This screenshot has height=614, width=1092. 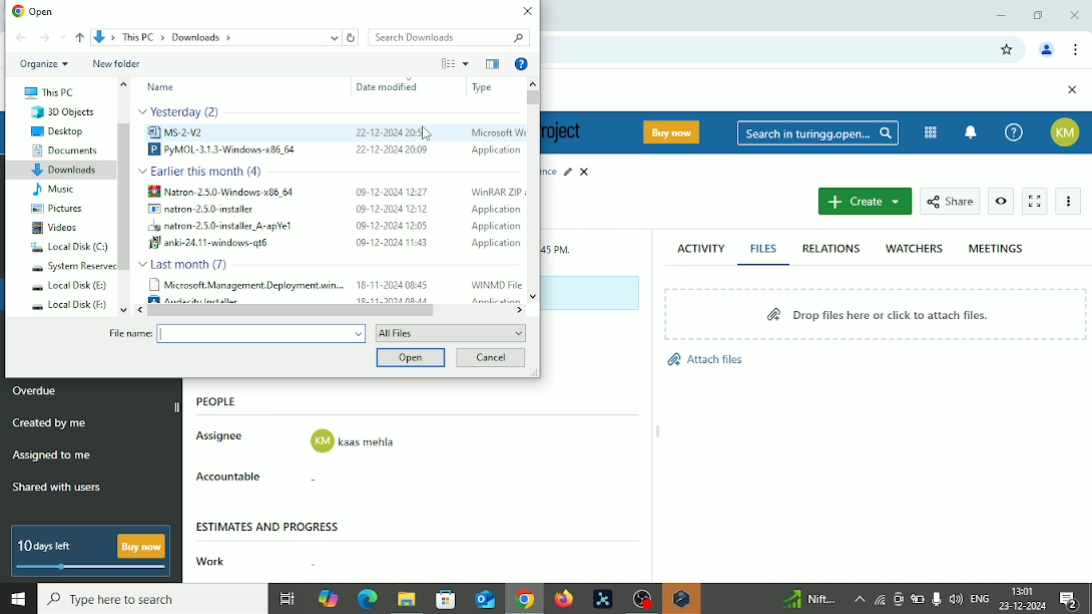 What do you see at coordinates (877, 314) in the screenshot?
I see `Drop files here or click to attach files` at bounding box center [877, 314].